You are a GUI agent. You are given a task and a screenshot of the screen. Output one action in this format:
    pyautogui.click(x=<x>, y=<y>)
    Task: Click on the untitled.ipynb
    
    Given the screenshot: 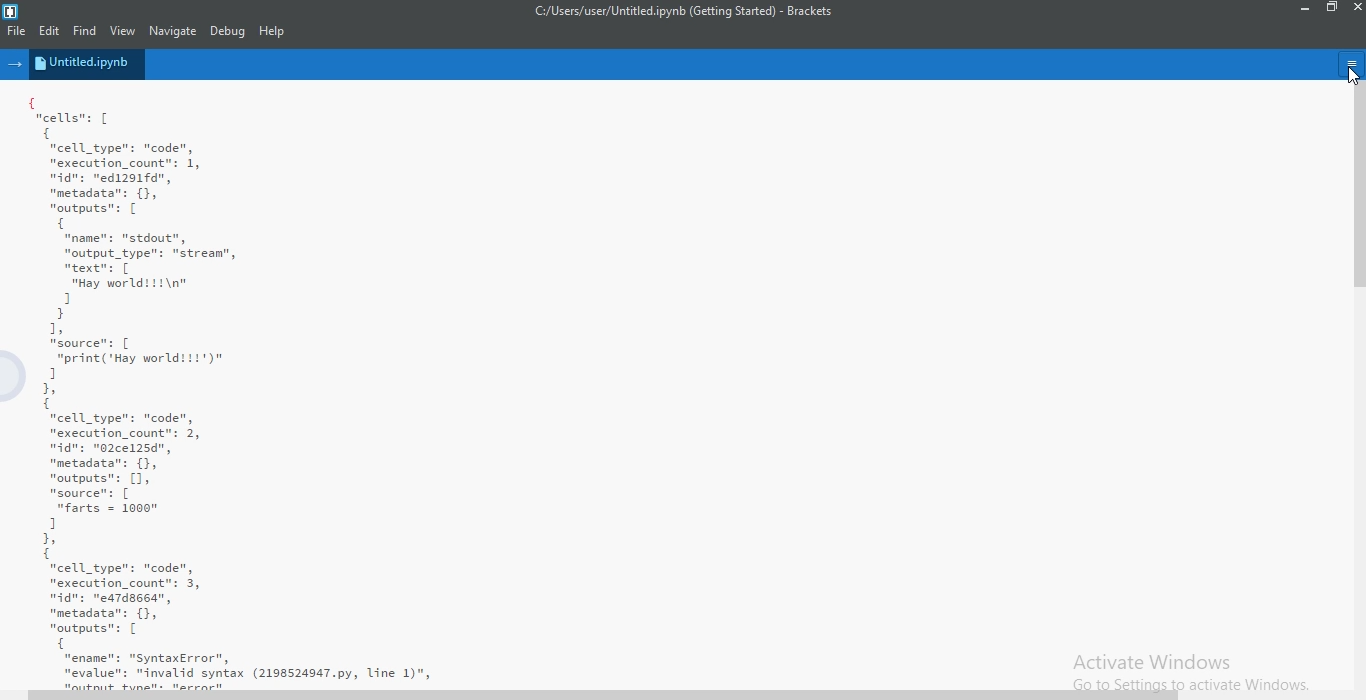 What is the action you would take?
    pyautogui.click(x=88, y=64)
    